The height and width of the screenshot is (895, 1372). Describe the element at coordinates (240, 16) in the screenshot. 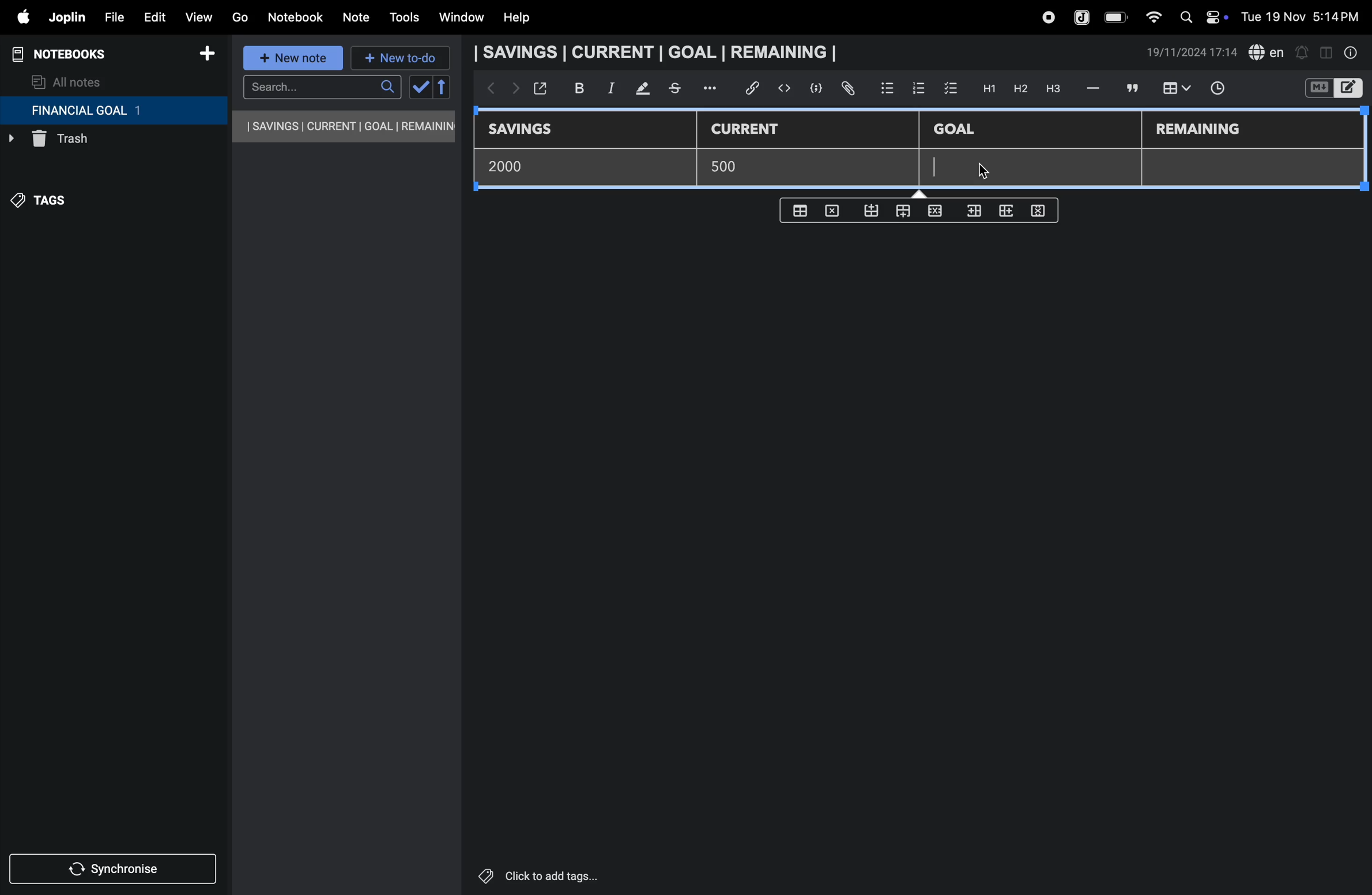

I see `go` at that location.